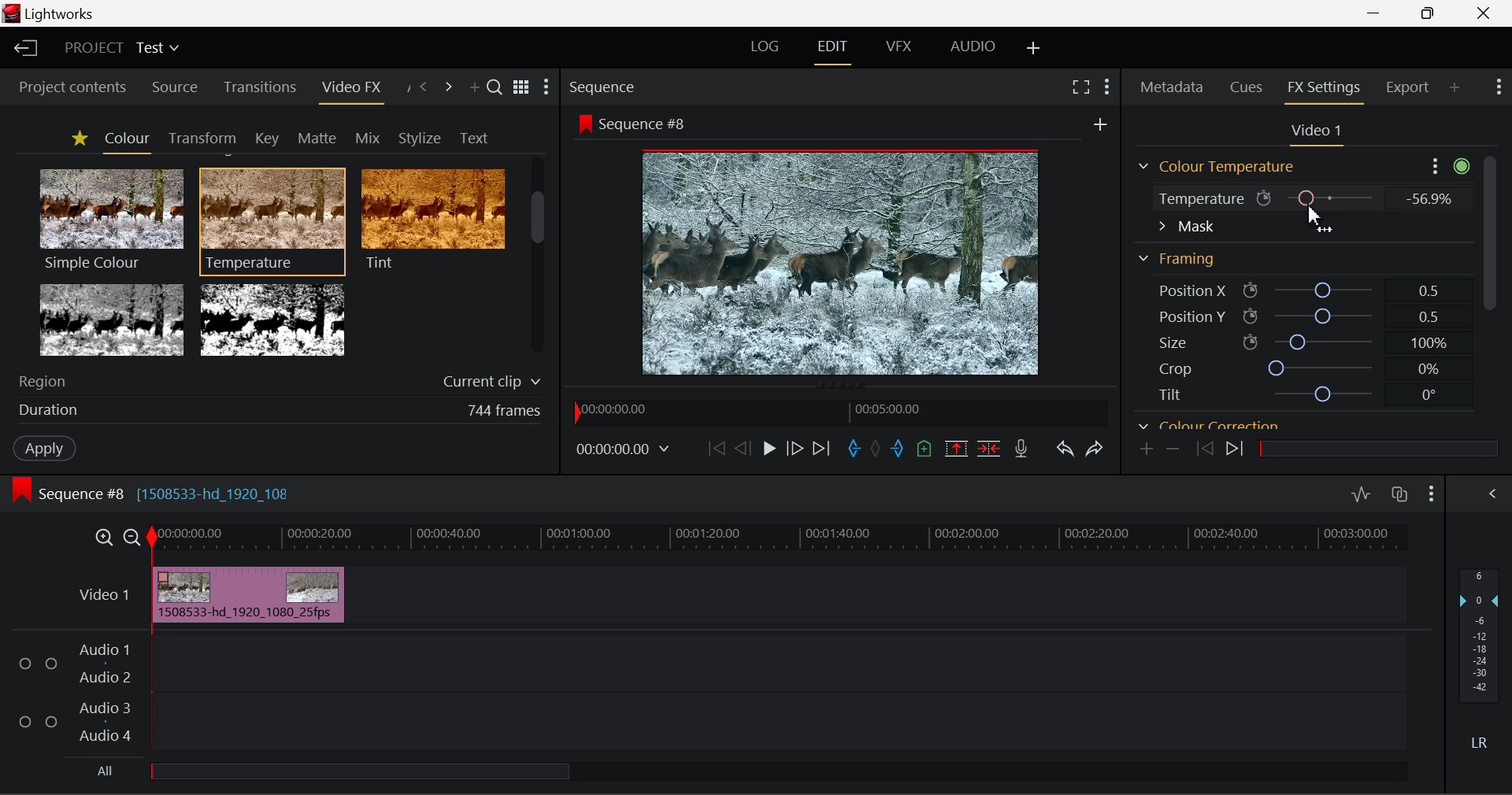 The height and width of the screenshot is (795, 1512). Describe the element at coordinates (1200, 449) in the screenshot. I see `Previous keyframe` at that location.